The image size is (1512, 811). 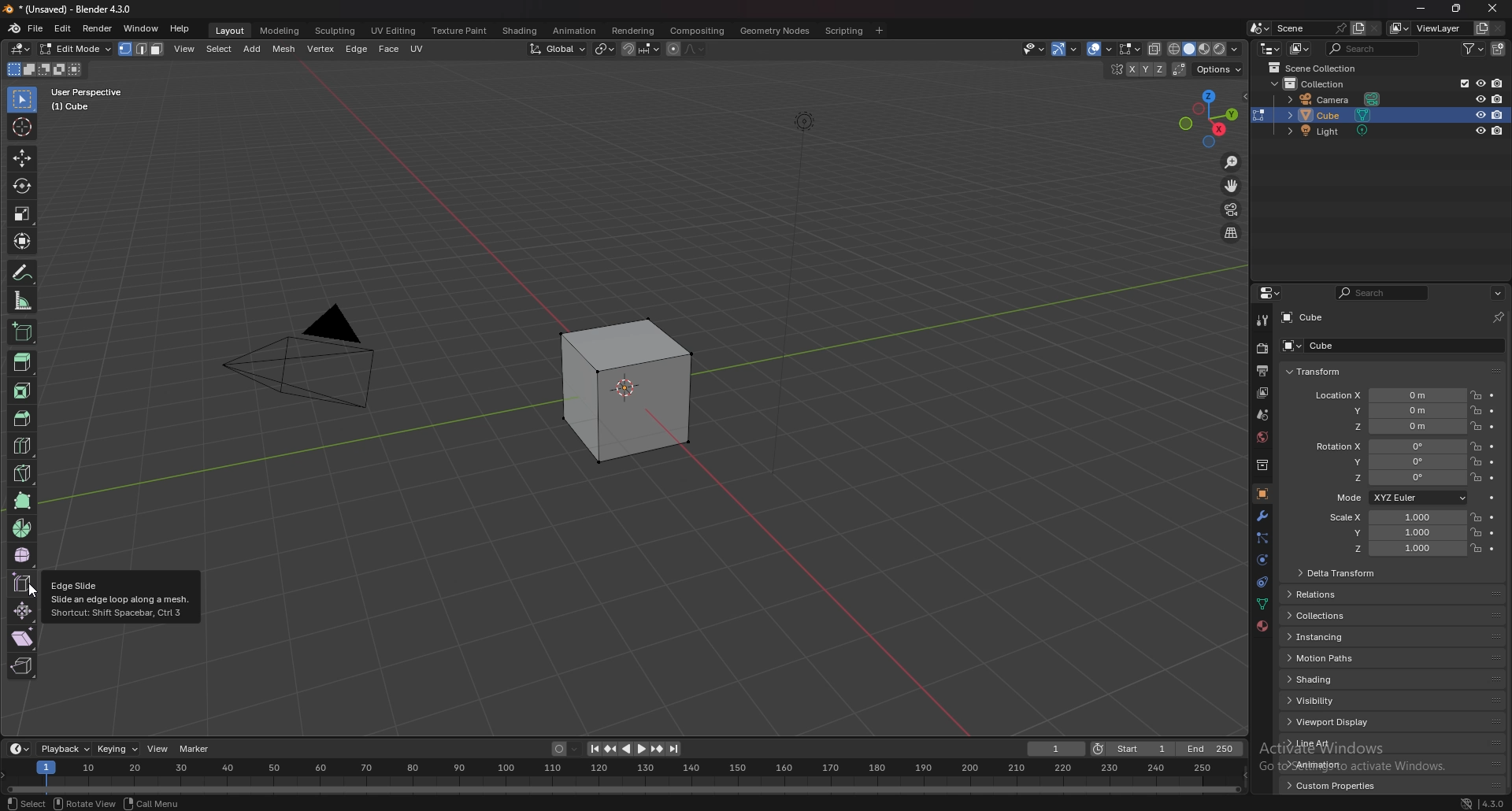 What do you see at coordinates (13, 28) in the screenshot?
I see `blender` at bounding box center [13, 28].